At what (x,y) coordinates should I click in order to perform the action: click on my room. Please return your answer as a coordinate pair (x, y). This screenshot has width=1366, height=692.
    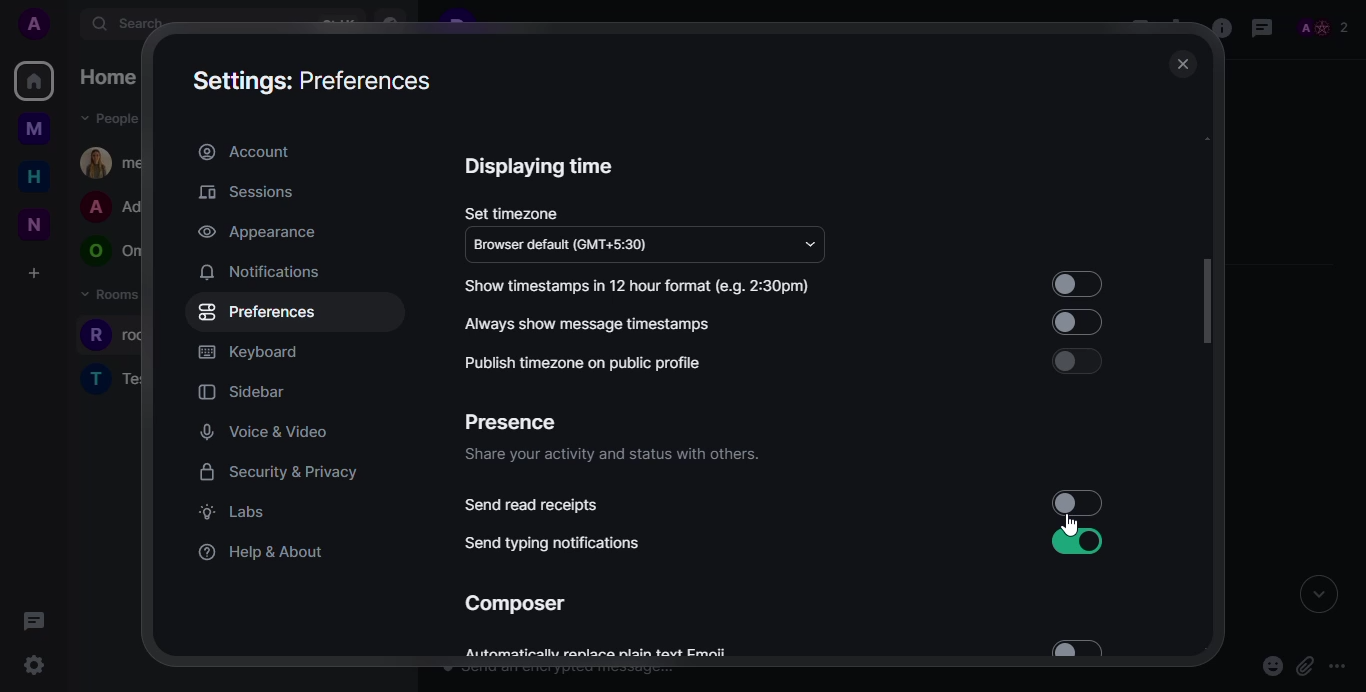
    Looking at the image, I should click on (116, 162).